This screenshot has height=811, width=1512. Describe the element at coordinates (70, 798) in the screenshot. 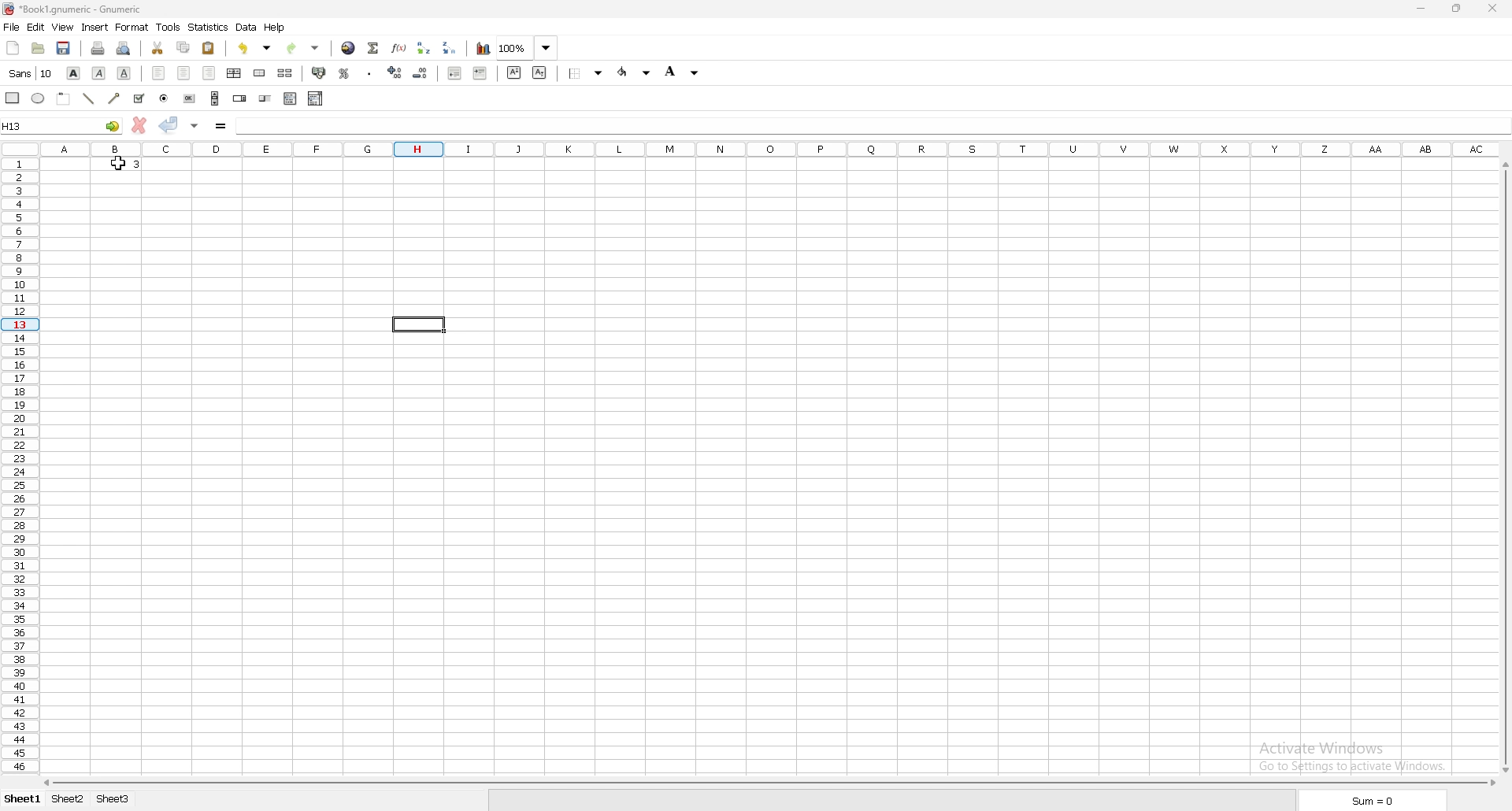

I see `sheet 2` at that location.